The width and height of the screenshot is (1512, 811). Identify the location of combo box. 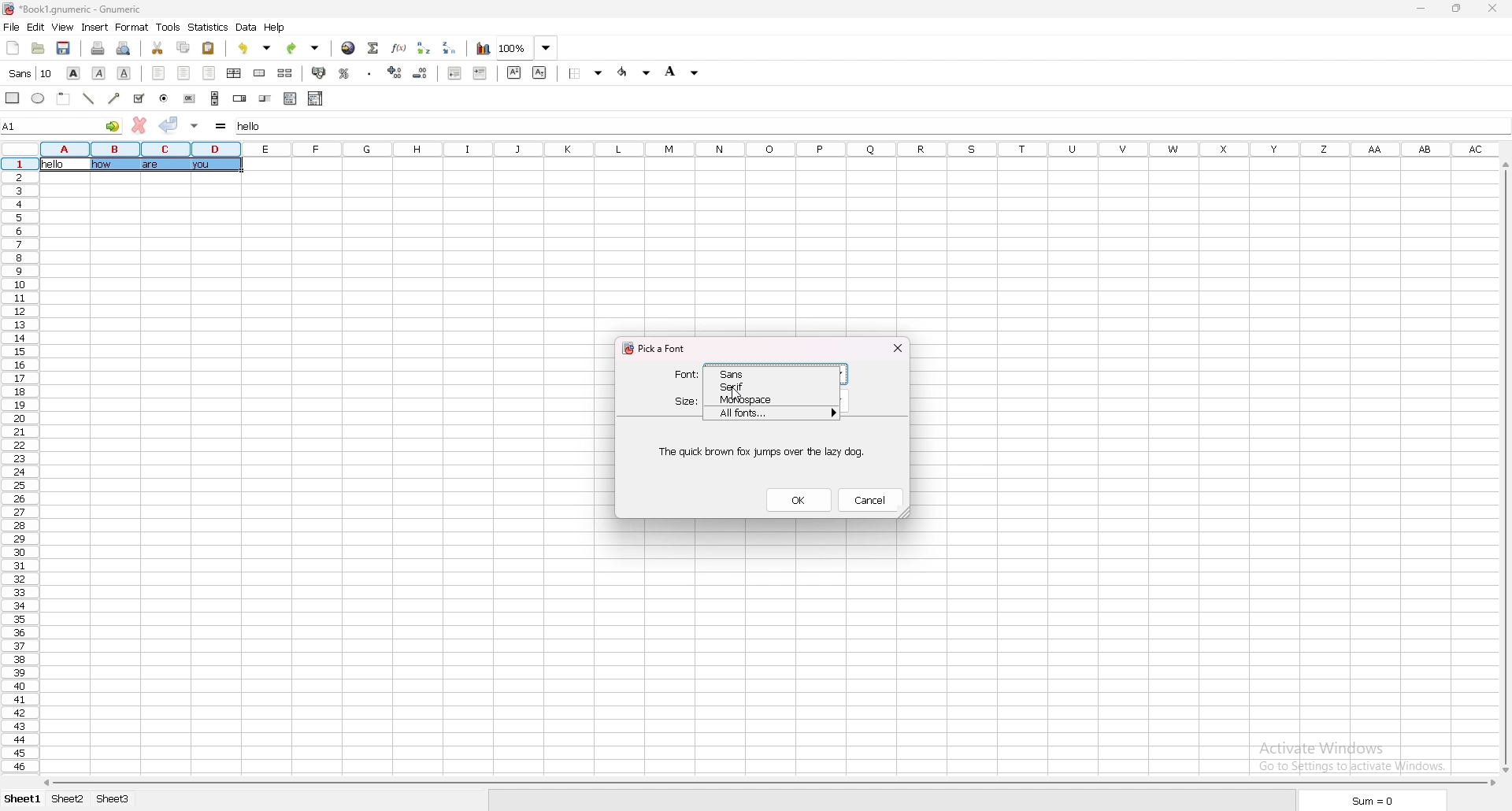
(316, 98).